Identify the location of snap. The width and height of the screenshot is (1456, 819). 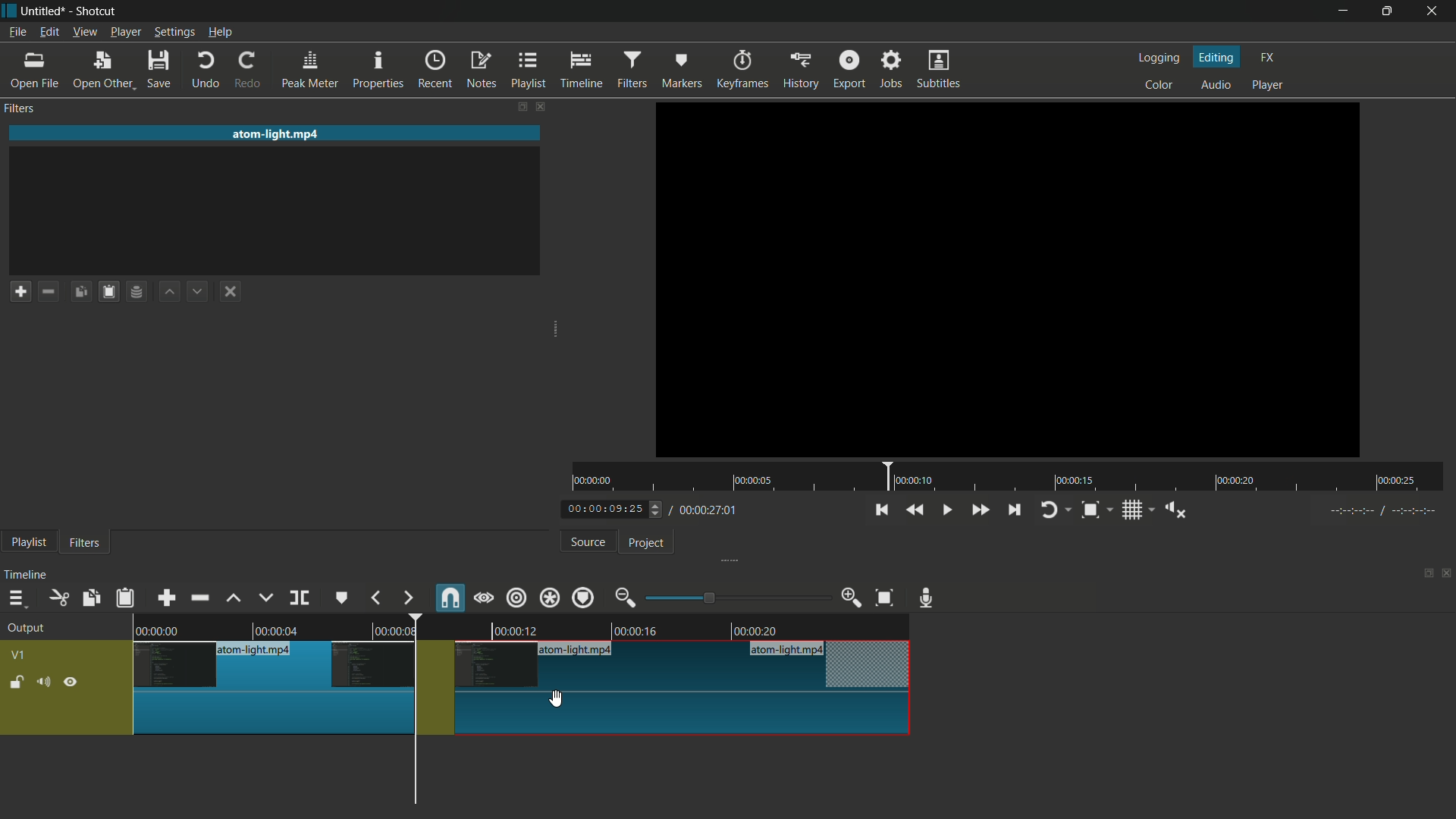
(448, 597).